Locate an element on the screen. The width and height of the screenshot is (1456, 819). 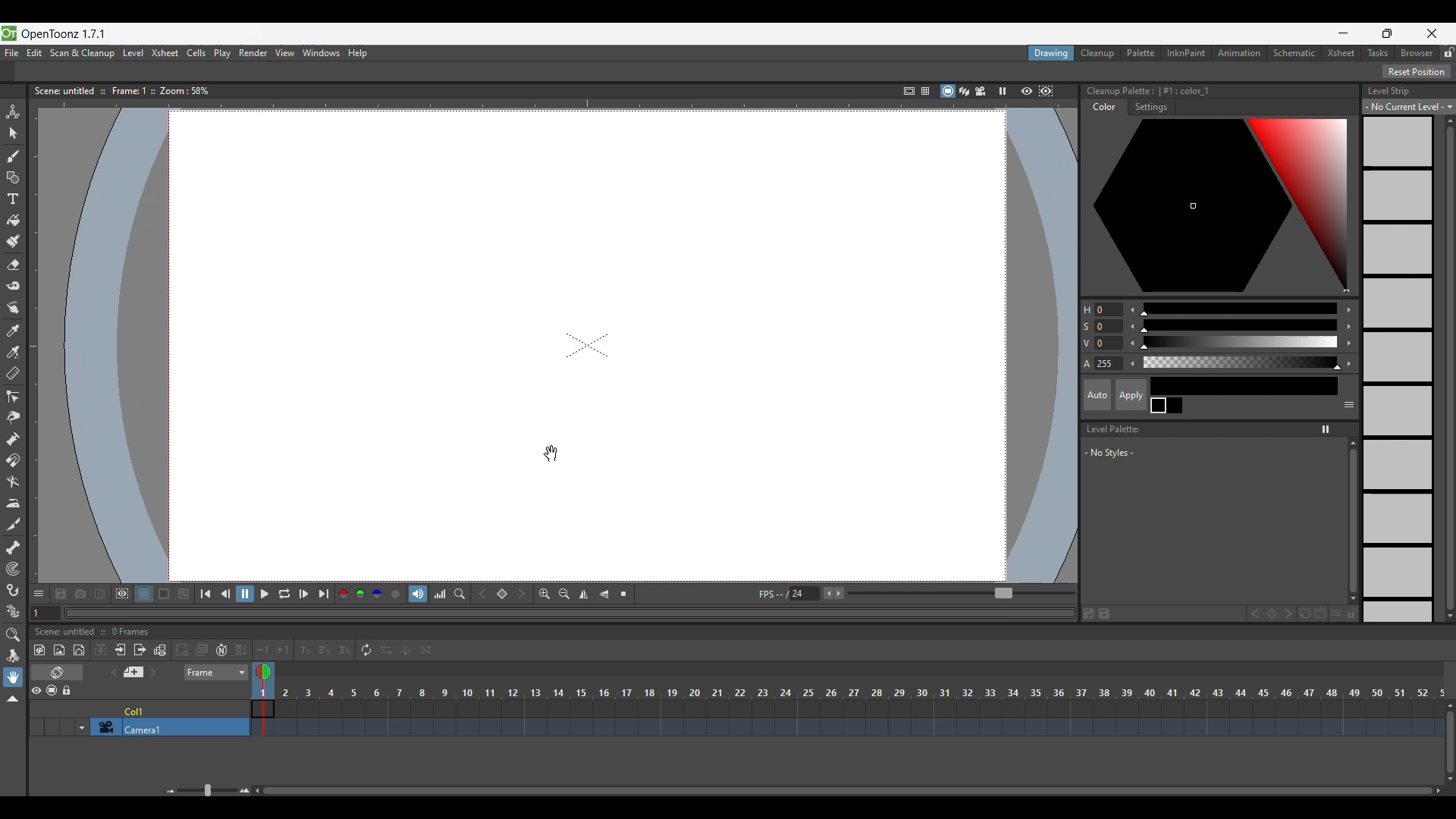
Histogram is located at coordinates (440, 594).